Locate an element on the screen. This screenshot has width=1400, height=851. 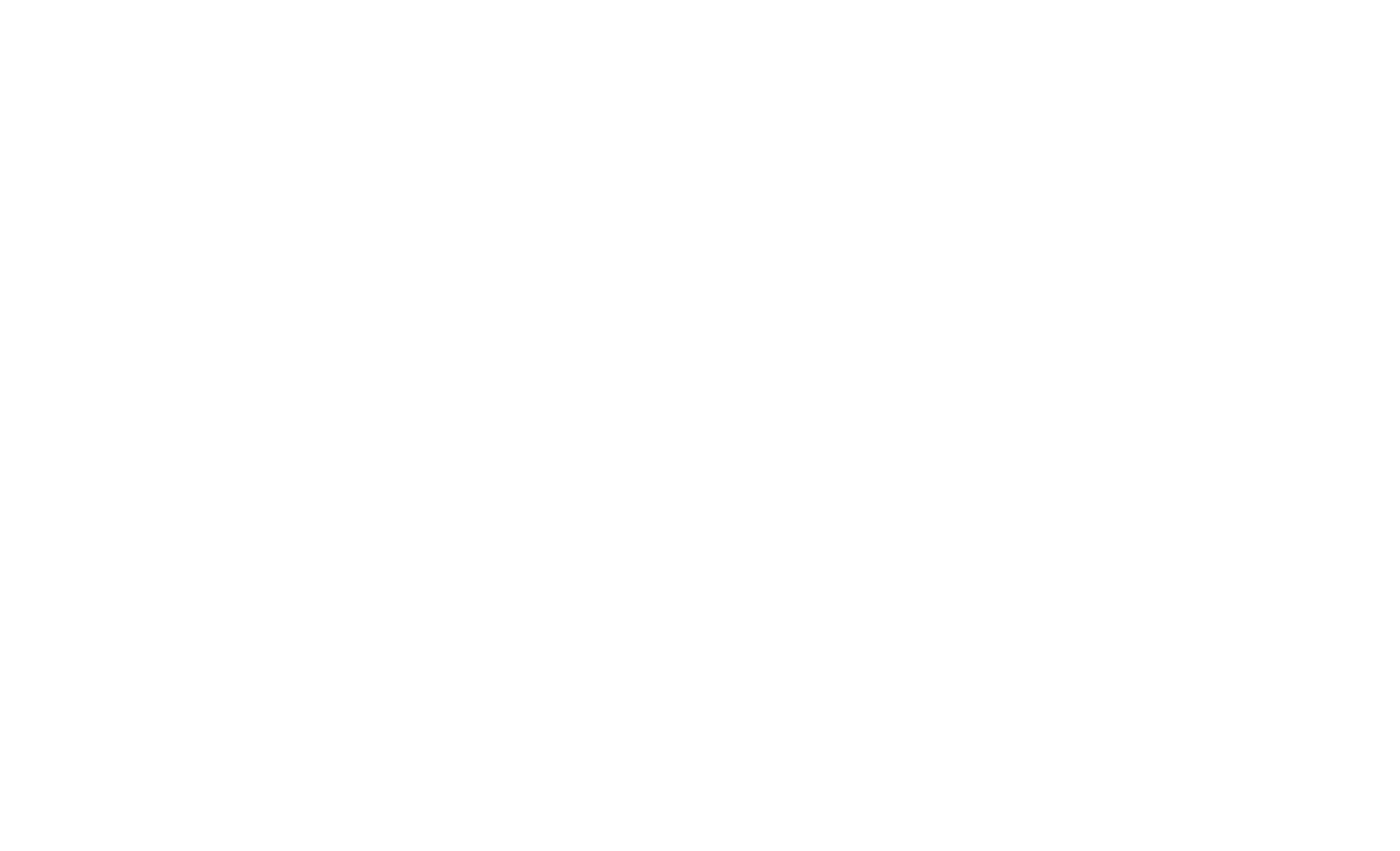
Display is located at coordinates (723, 525).